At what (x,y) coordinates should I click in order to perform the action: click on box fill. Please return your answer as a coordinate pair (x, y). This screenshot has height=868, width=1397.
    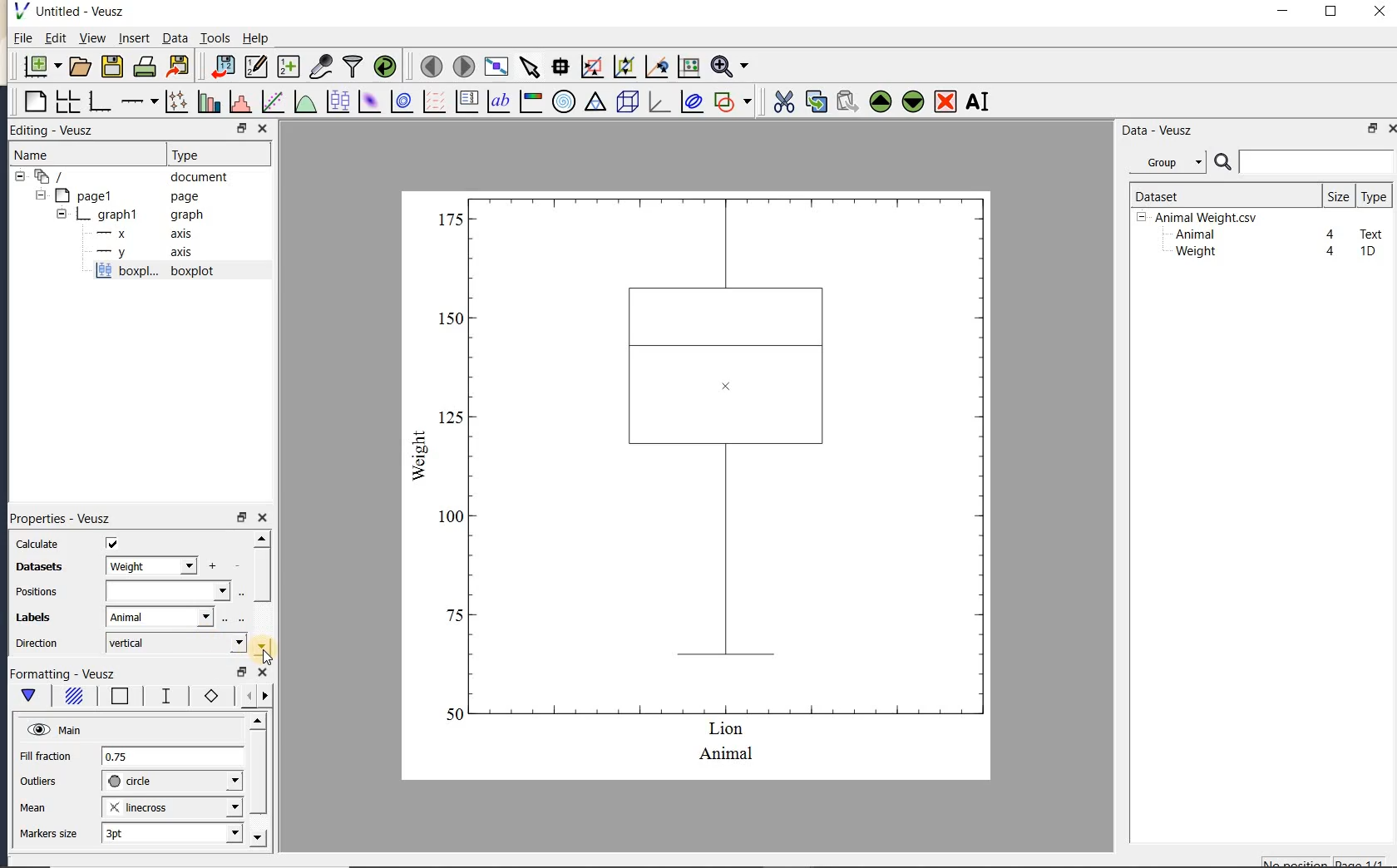
    Looking at the image, I should click on (72, 697).